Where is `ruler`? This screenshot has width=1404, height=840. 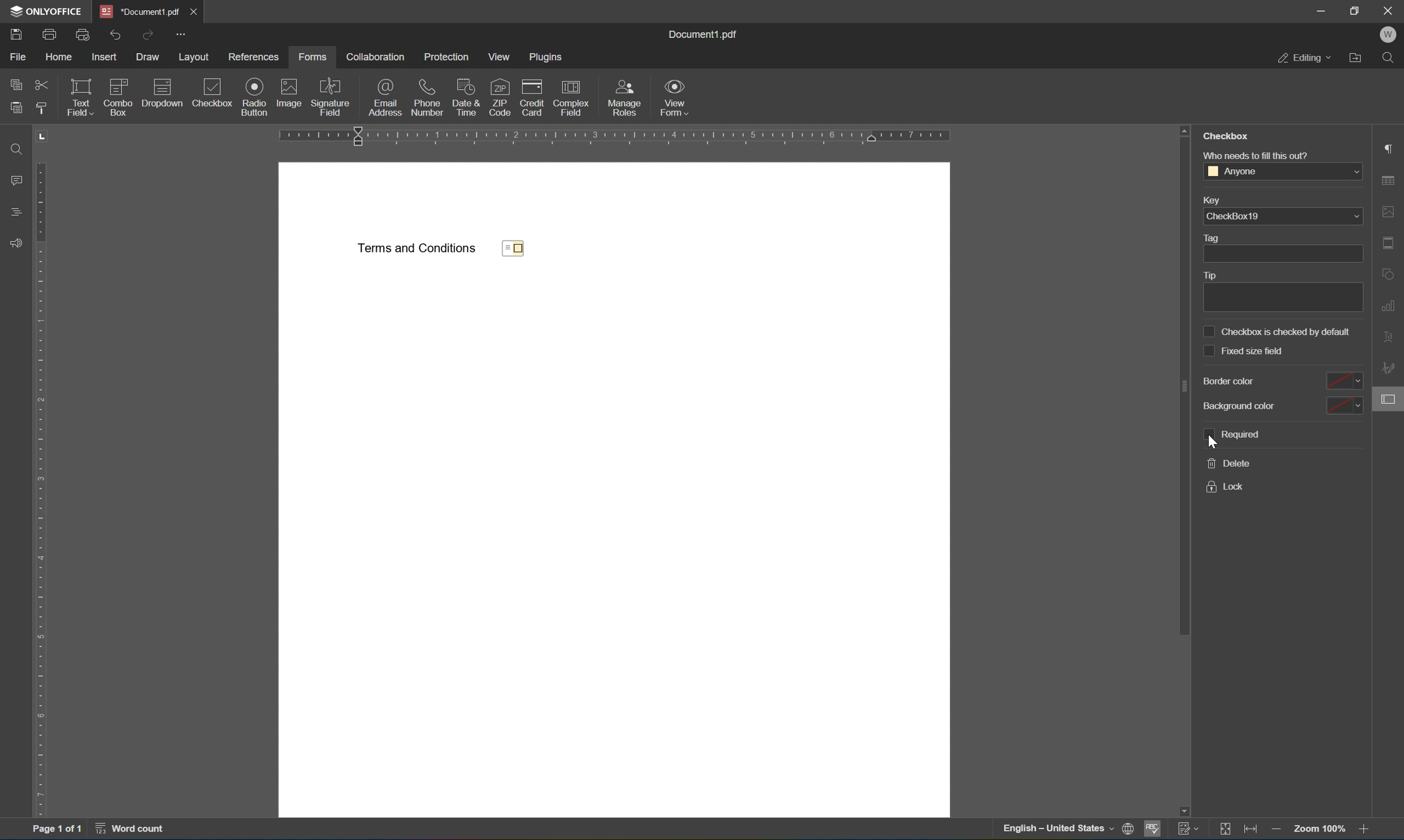 ruler is located at coordinates (628, 138).